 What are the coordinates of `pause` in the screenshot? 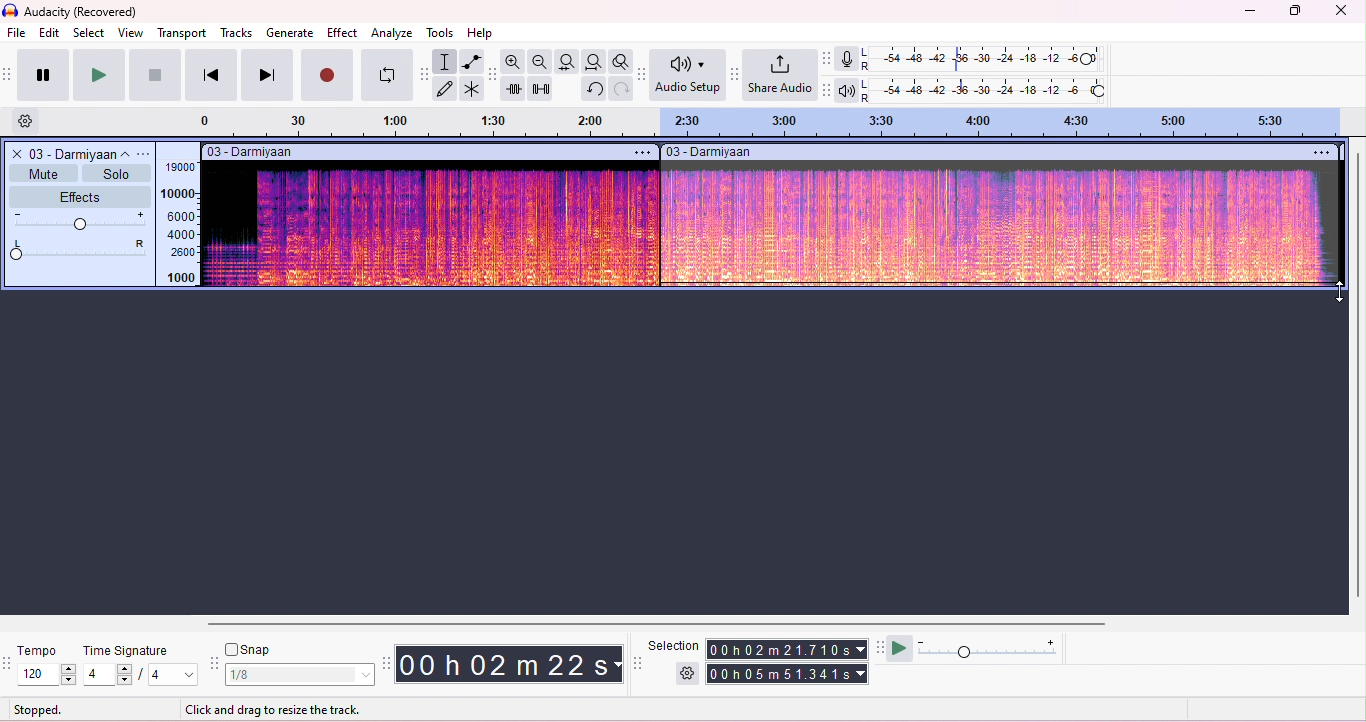 It's located at (40, 74).